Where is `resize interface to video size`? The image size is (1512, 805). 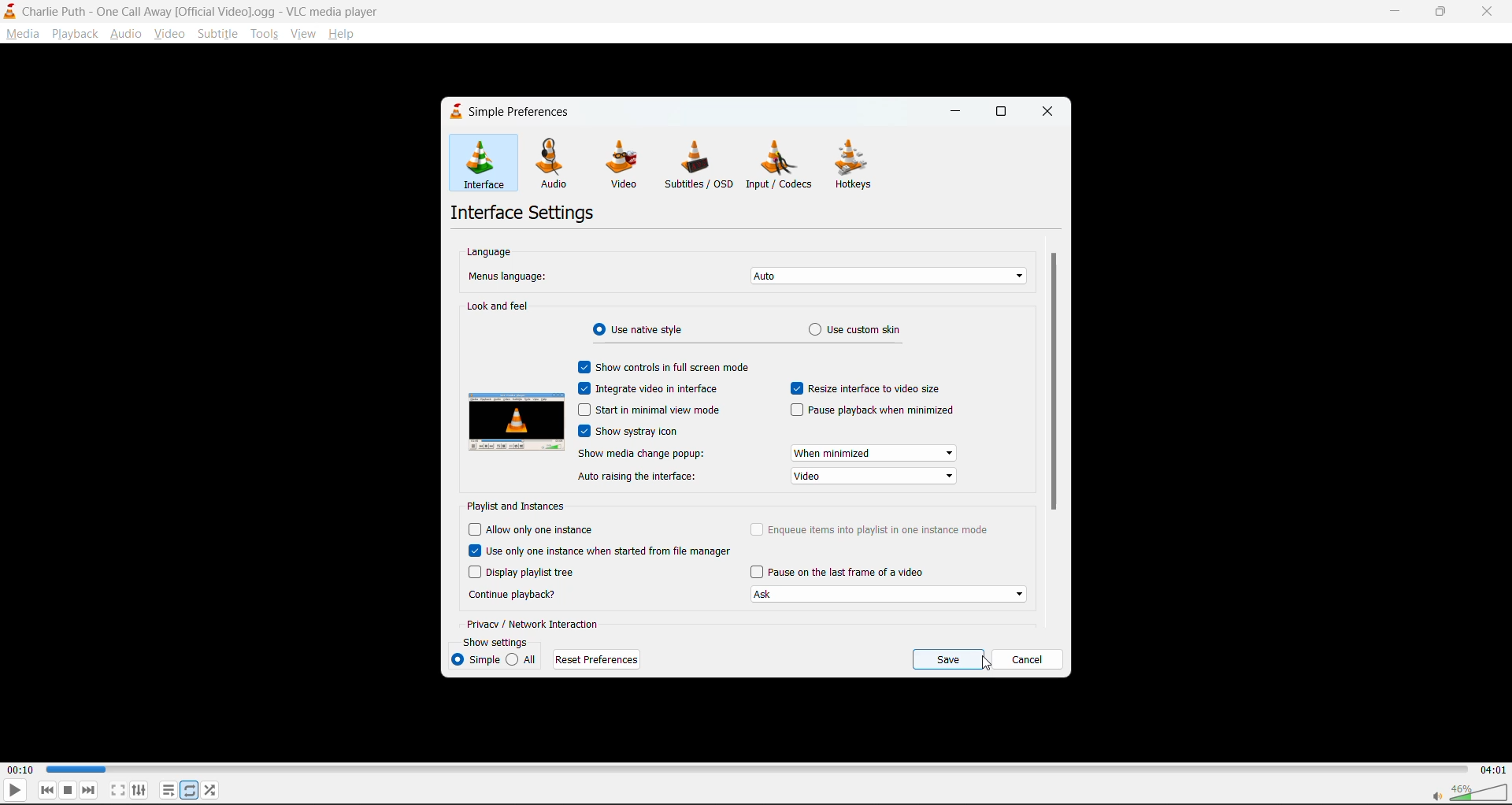
resize interface to video size is located at coordinates (873, 389).